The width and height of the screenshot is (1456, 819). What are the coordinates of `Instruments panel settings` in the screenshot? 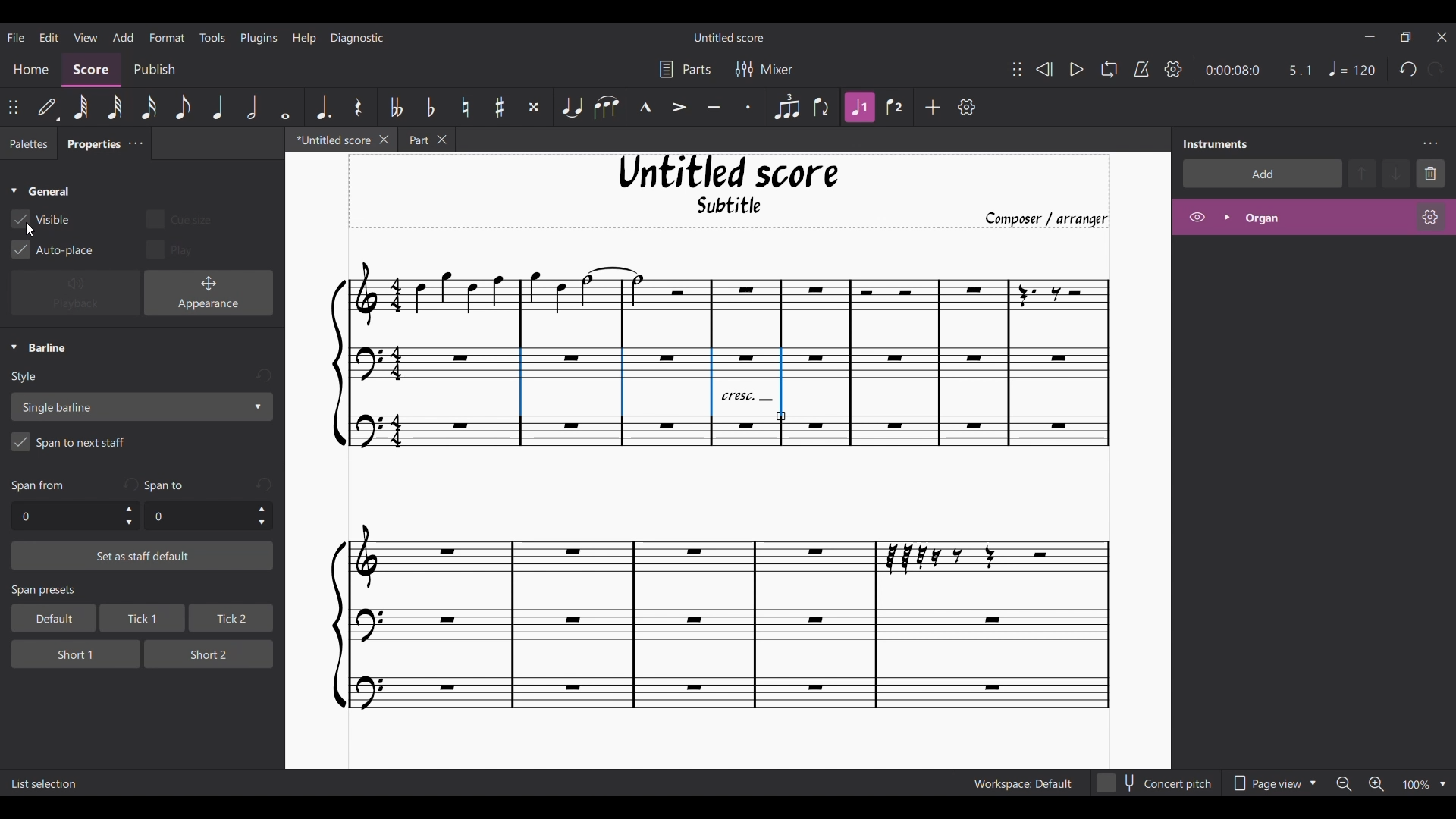 It's located at (1430, 143).